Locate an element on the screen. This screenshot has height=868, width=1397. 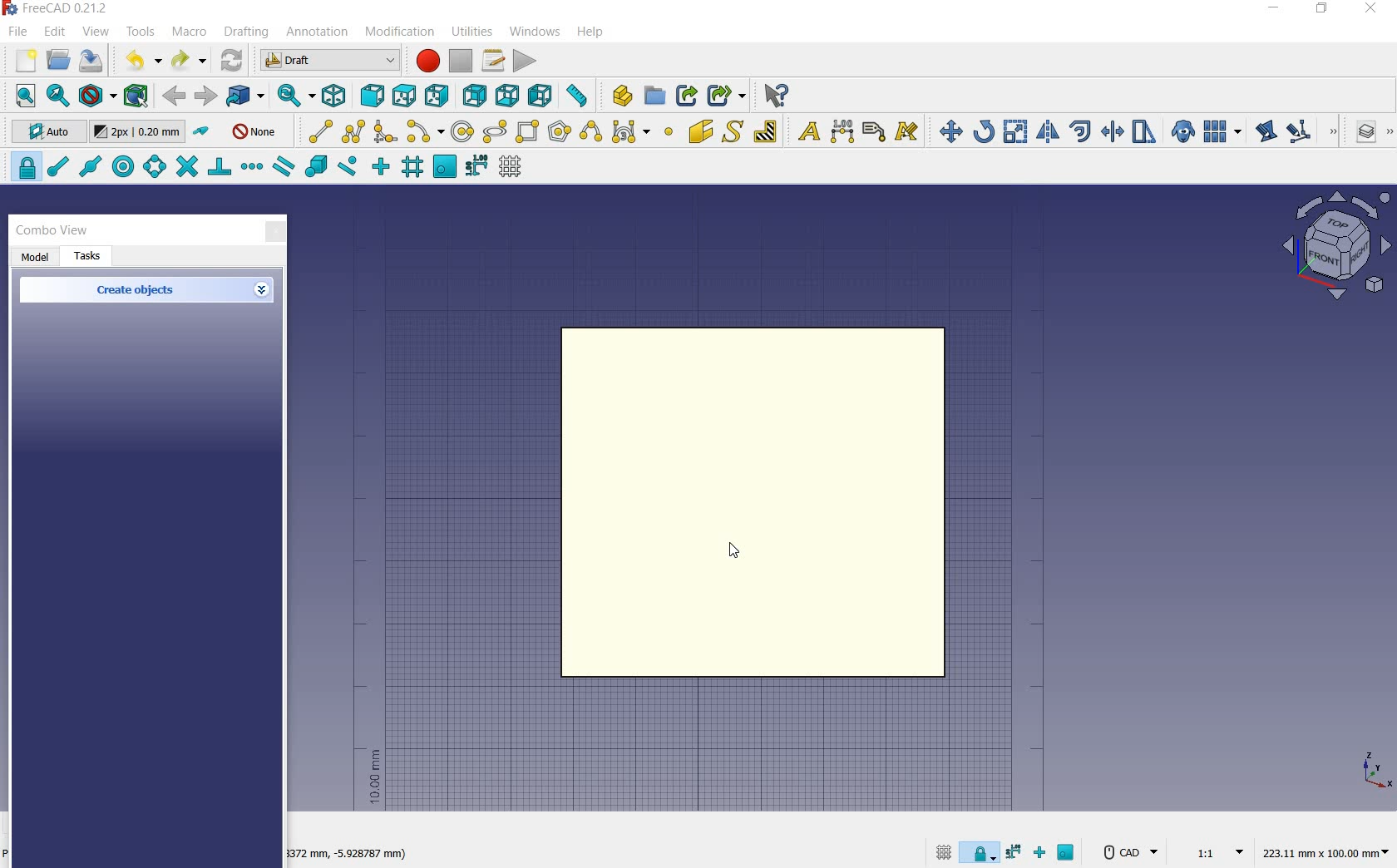
windows is located at coordinates (536, 31).